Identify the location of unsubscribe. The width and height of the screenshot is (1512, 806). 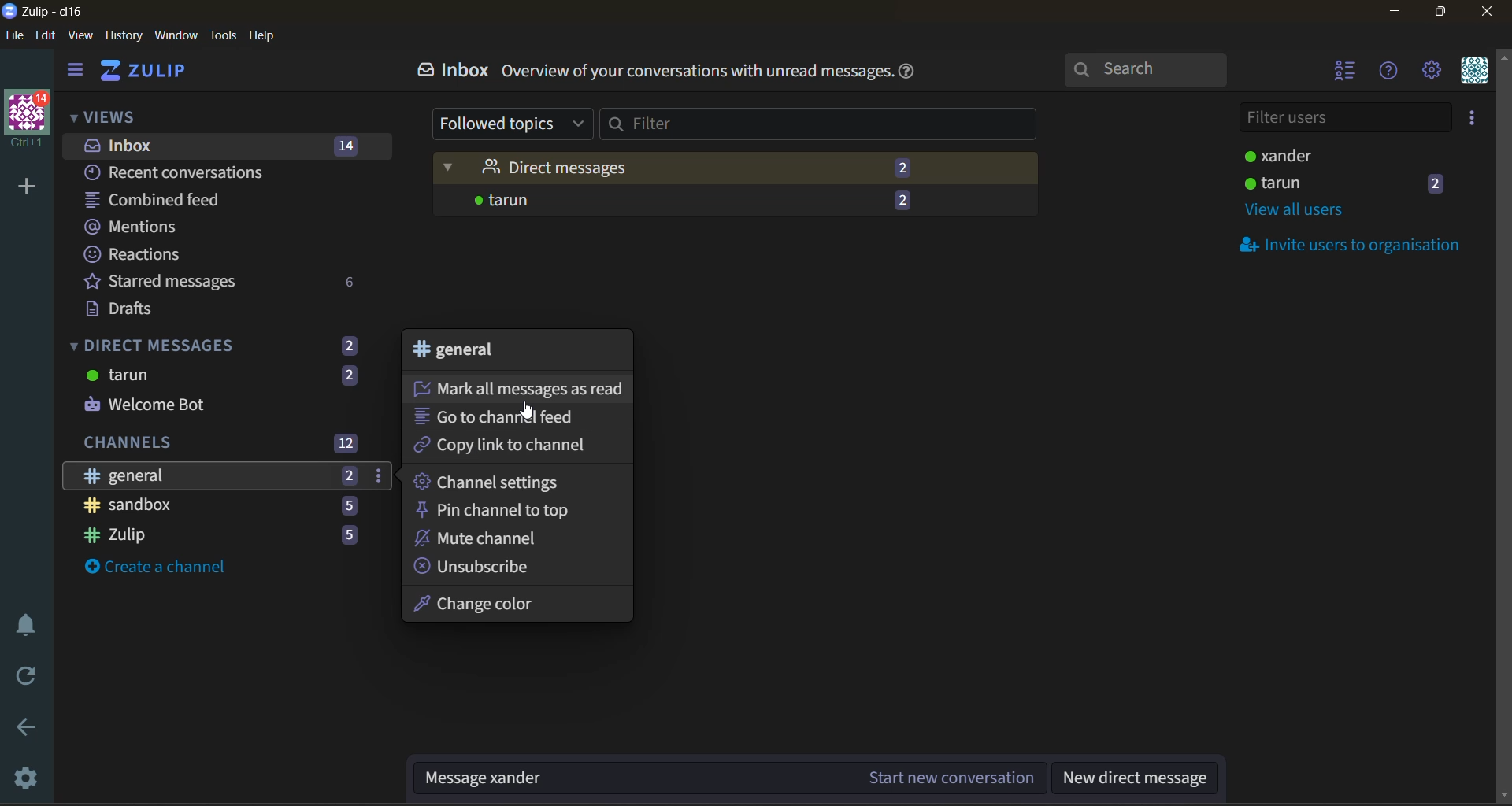
(478, 565).